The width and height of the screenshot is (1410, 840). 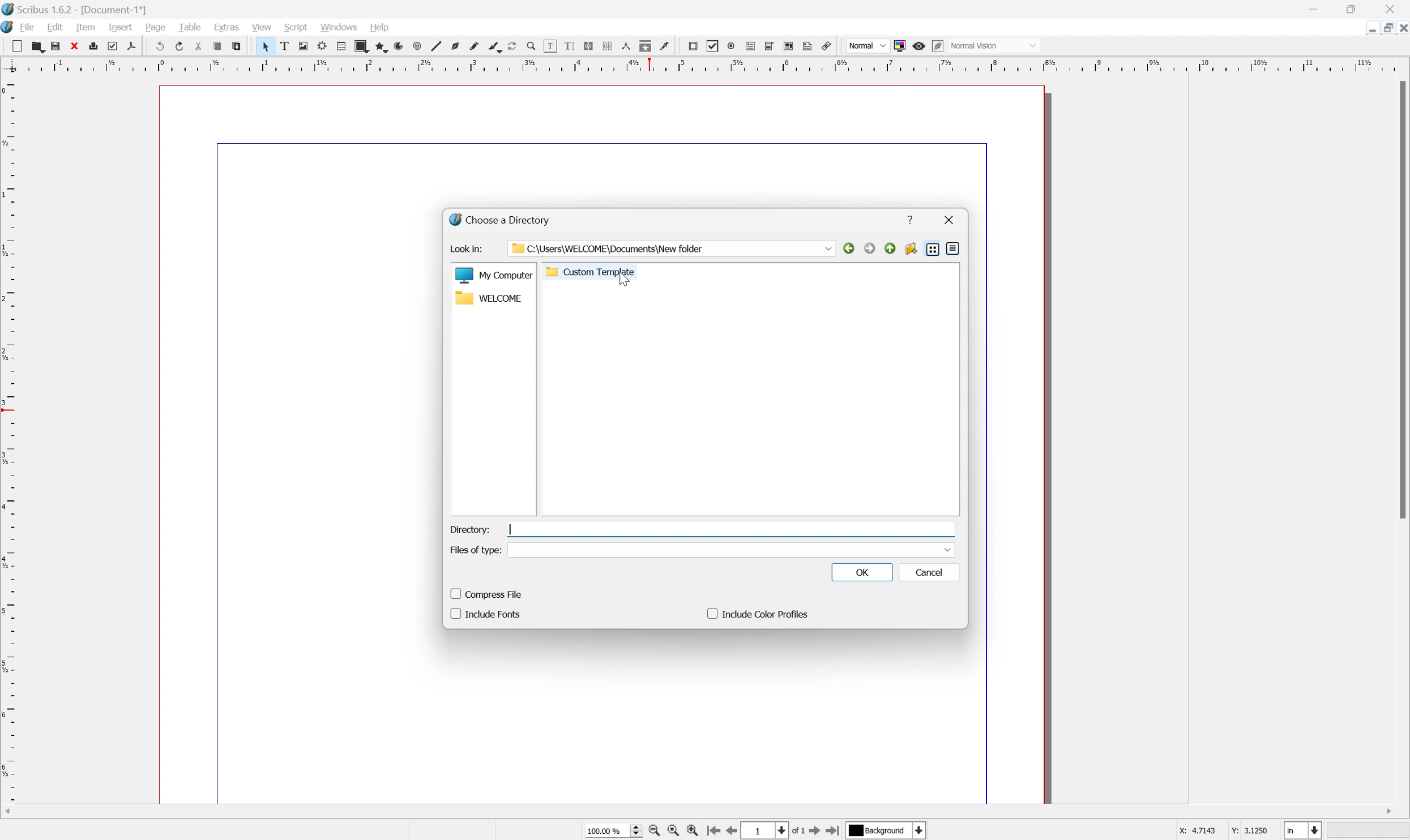 What do you see at coordinates (918, 45) in the screenshot?
I see `Preview mode` at bounding box center [918, 45].